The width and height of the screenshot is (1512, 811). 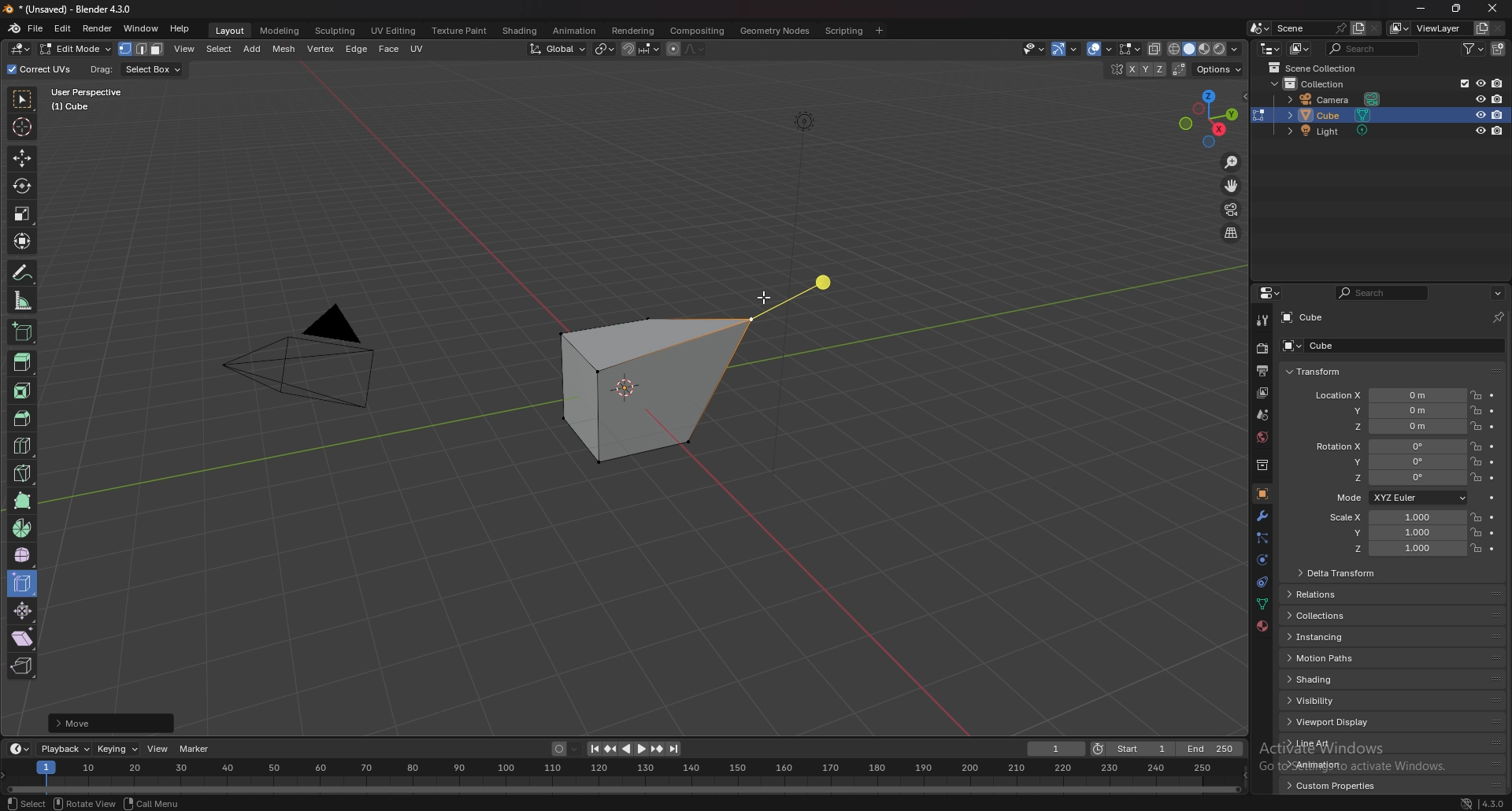 I want to click on viewport display, so click(x=1336, y=722).